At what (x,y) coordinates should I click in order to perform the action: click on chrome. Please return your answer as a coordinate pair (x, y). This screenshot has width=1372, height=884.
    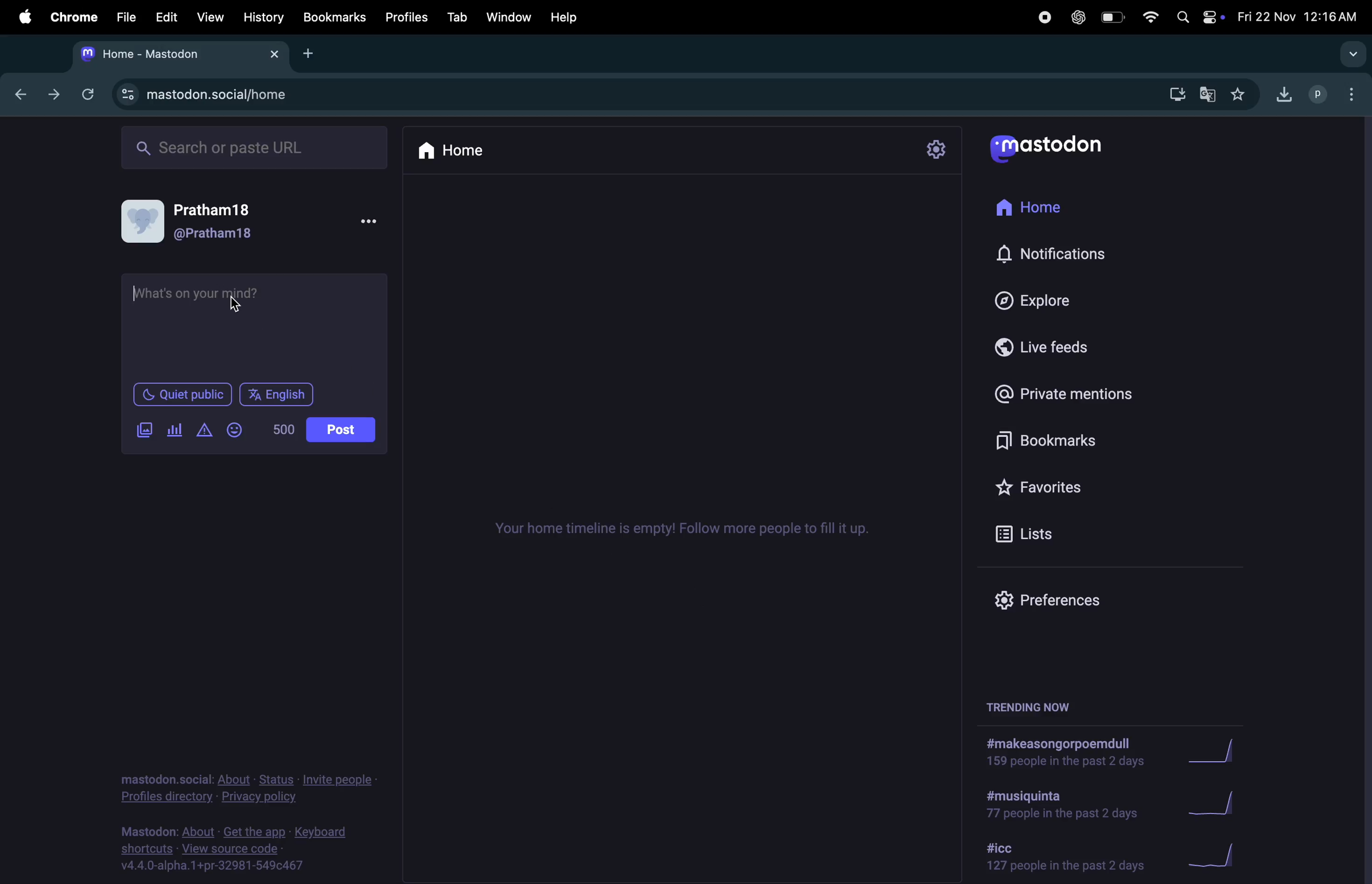
    Looking at the image, I should click on (73, 15).